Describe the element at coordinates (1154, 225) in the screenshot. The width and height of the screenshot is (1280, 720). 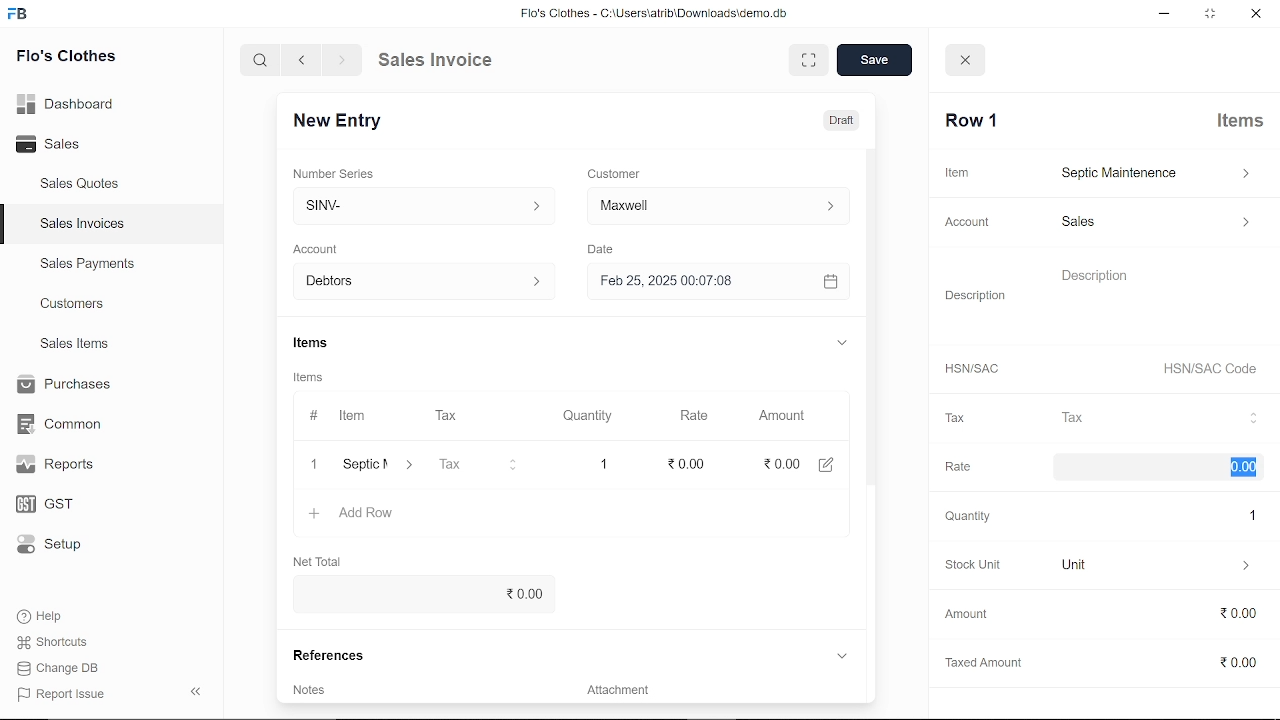
I see `sales` at that location.